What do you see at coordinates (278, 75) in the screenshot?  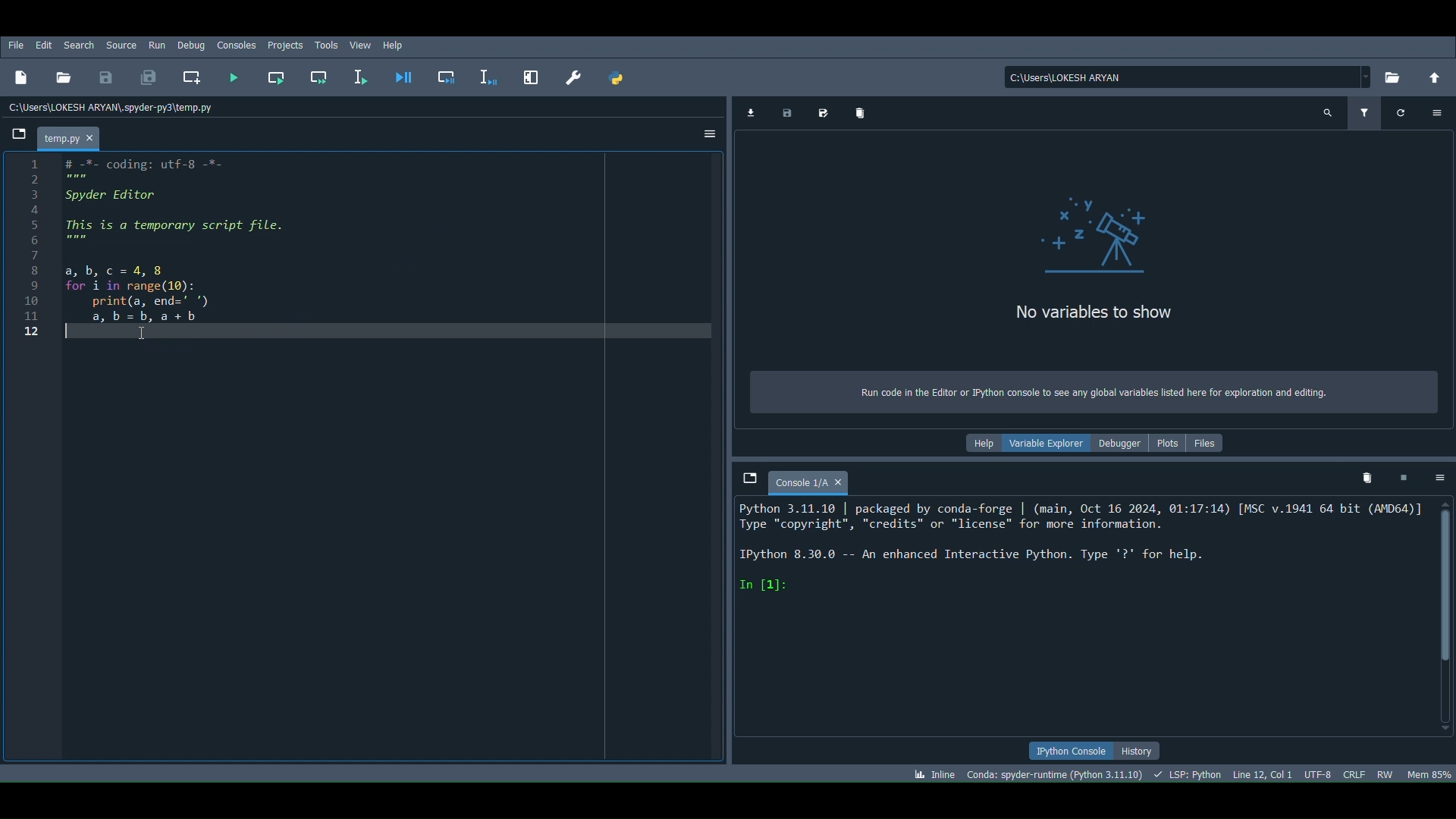 I see `Run current cell (Ctrl + Return)` at bounding box center [278, 75].